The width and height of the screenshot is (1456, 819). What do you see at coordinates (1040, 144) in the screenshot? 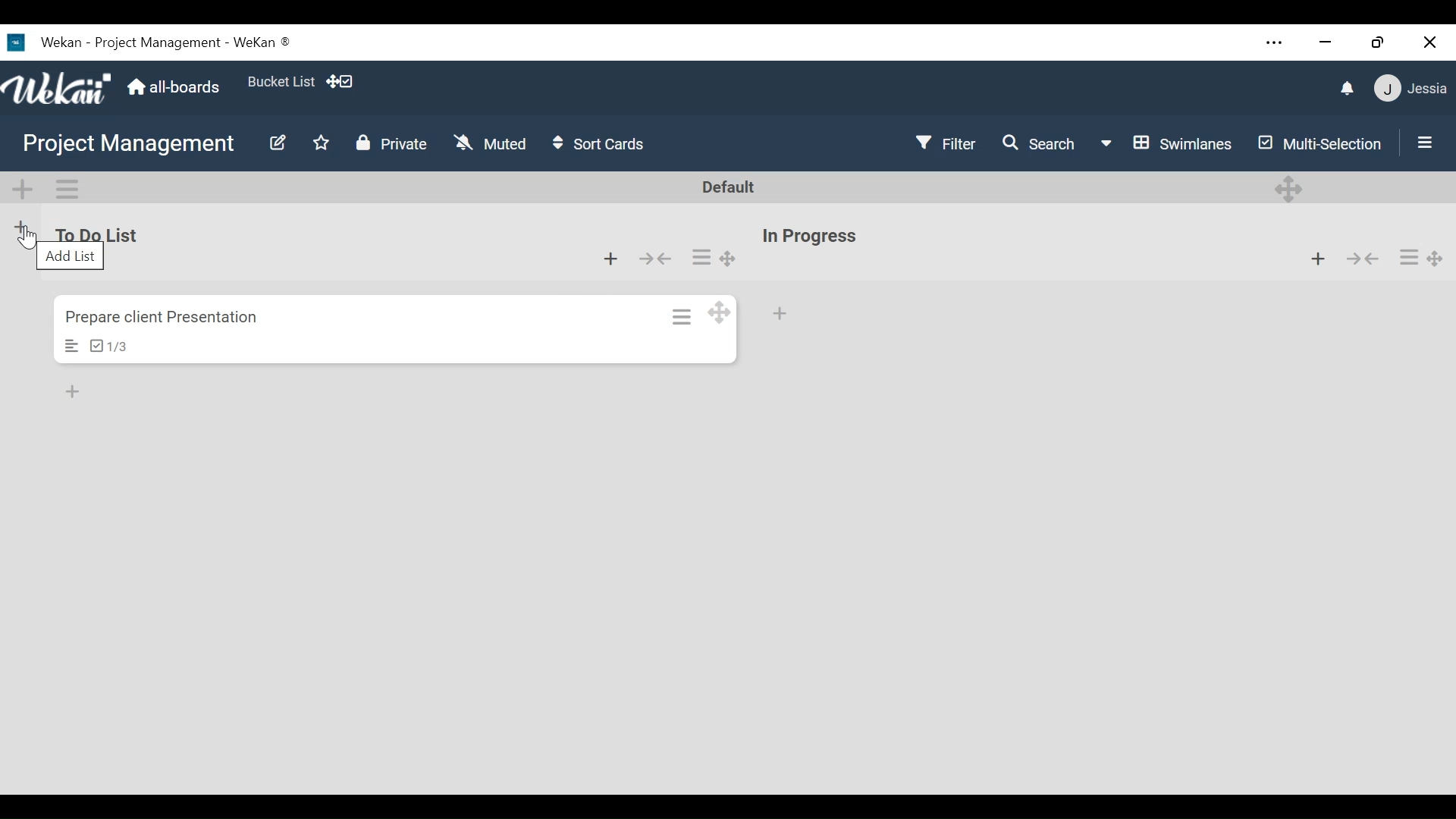
I see `Search` at bounding box center [1040, 144].